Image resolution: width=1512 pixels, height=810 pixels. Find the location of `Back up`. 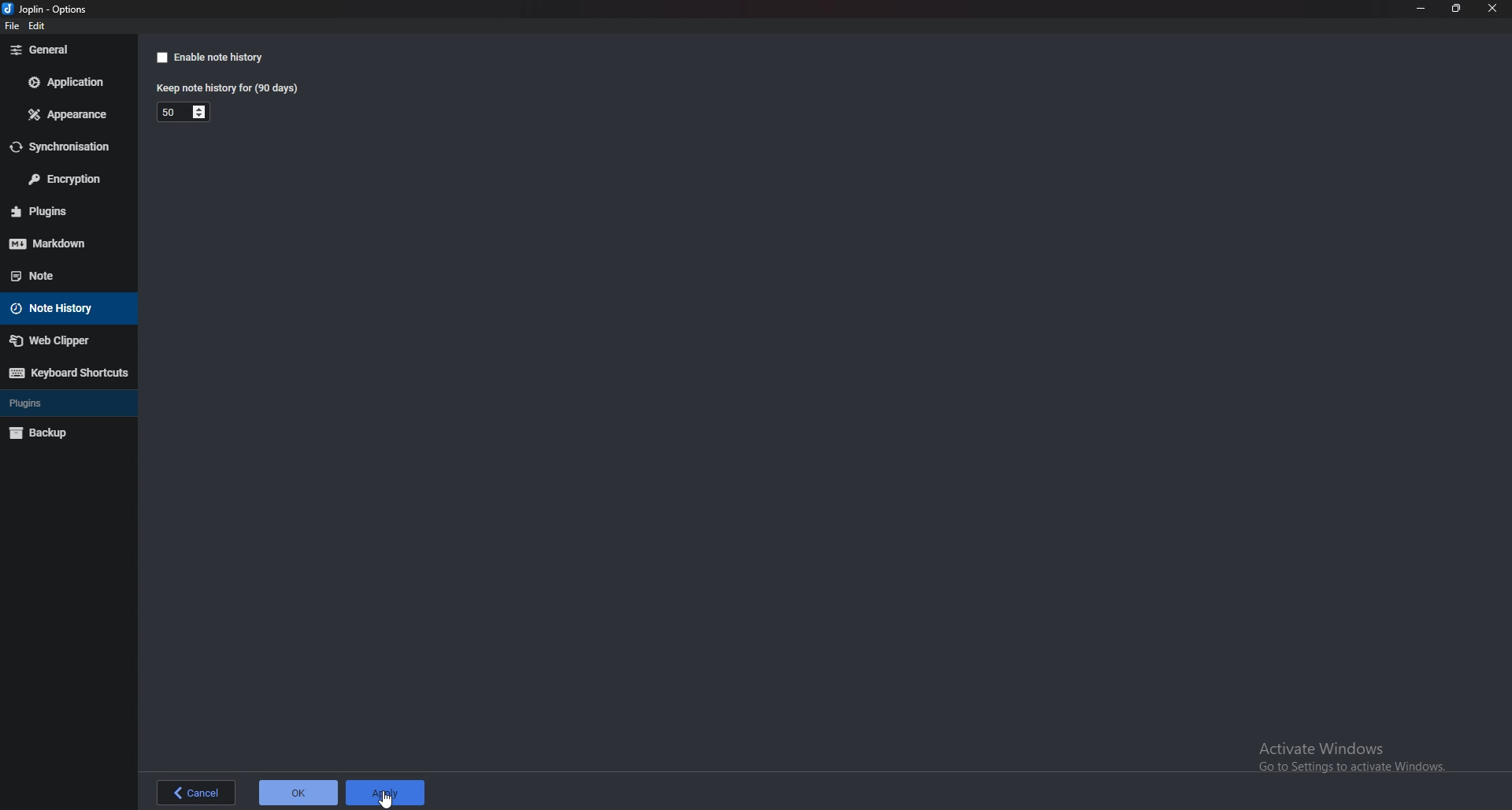

Back up is located at coordinates (60, 433).